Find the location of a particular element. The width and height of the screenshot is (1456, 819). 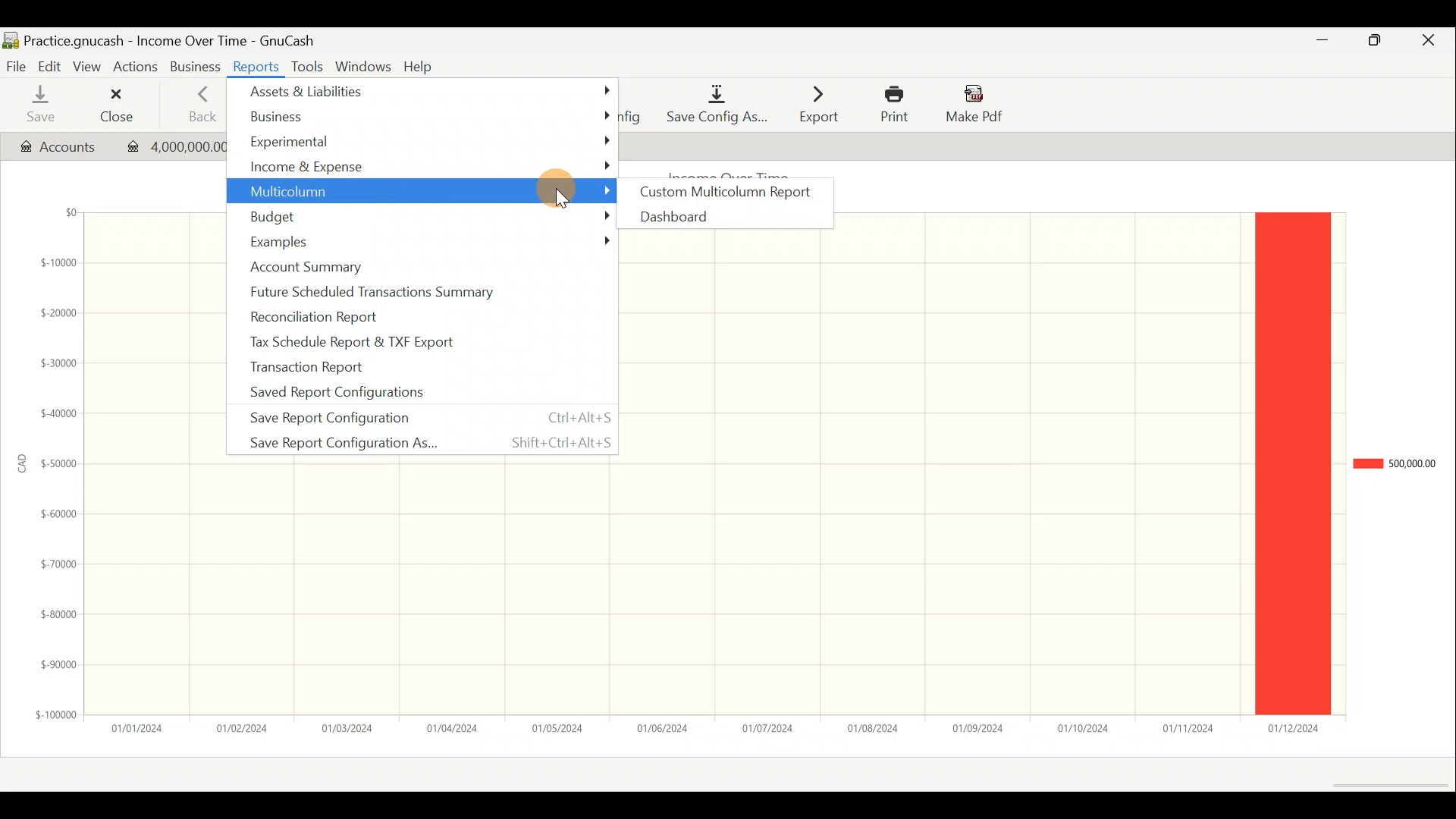

Print is located at coordinates (890, 104).